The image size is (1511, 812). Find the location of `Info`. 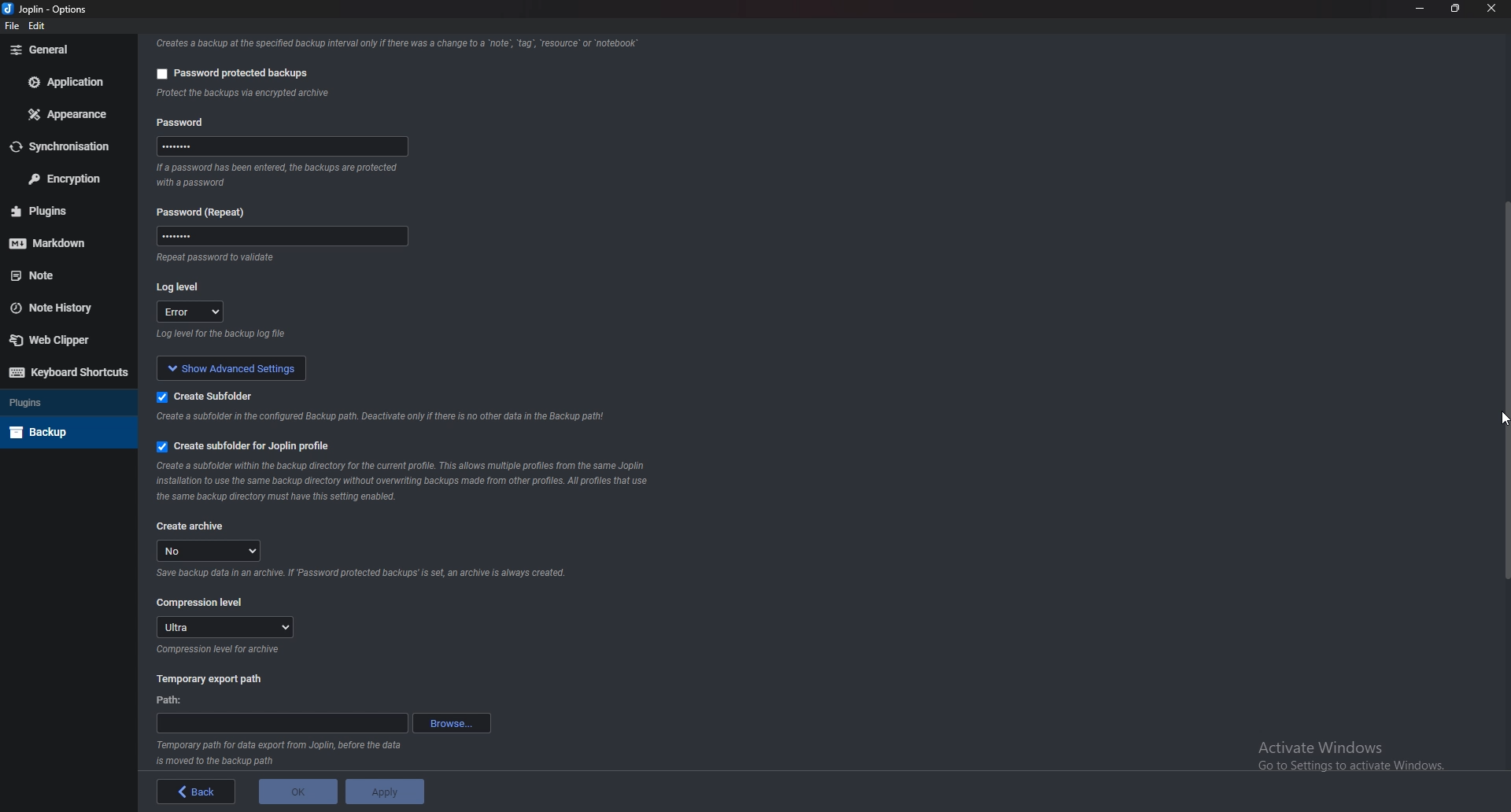

Info is located at coordinates (406, 481).